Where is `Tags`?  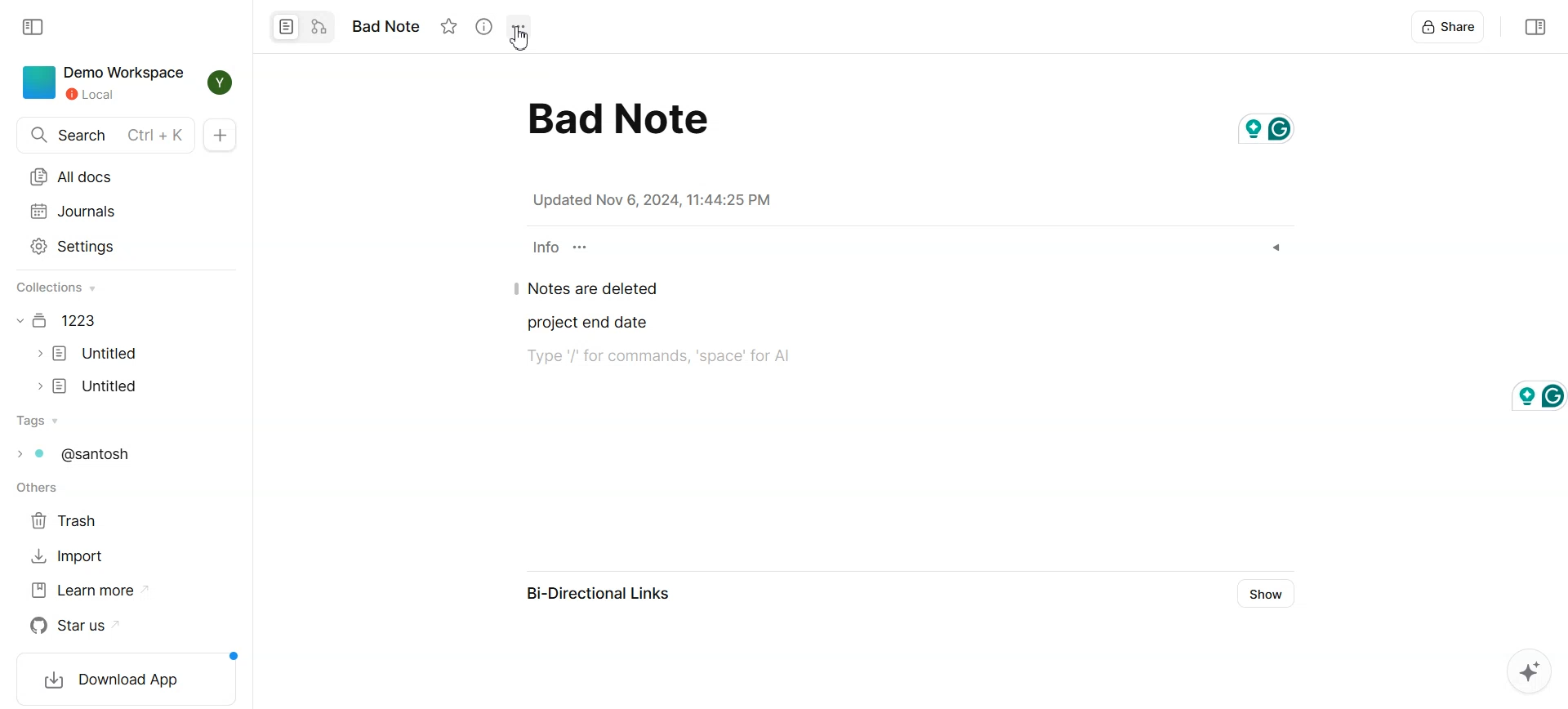
Tags is located at coordinates (37, 421).